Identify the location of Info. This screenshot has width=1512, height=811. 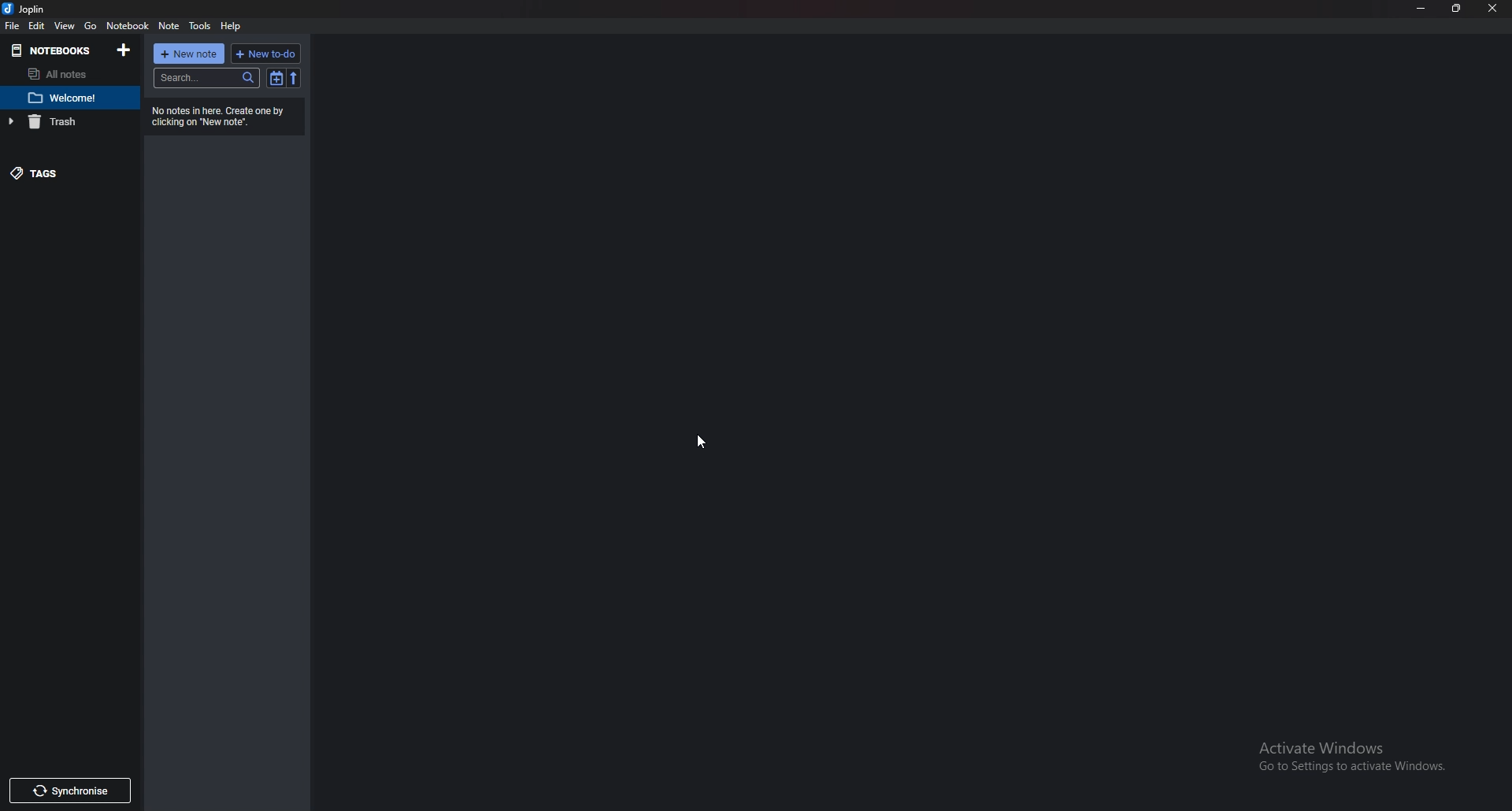
(217, 117).